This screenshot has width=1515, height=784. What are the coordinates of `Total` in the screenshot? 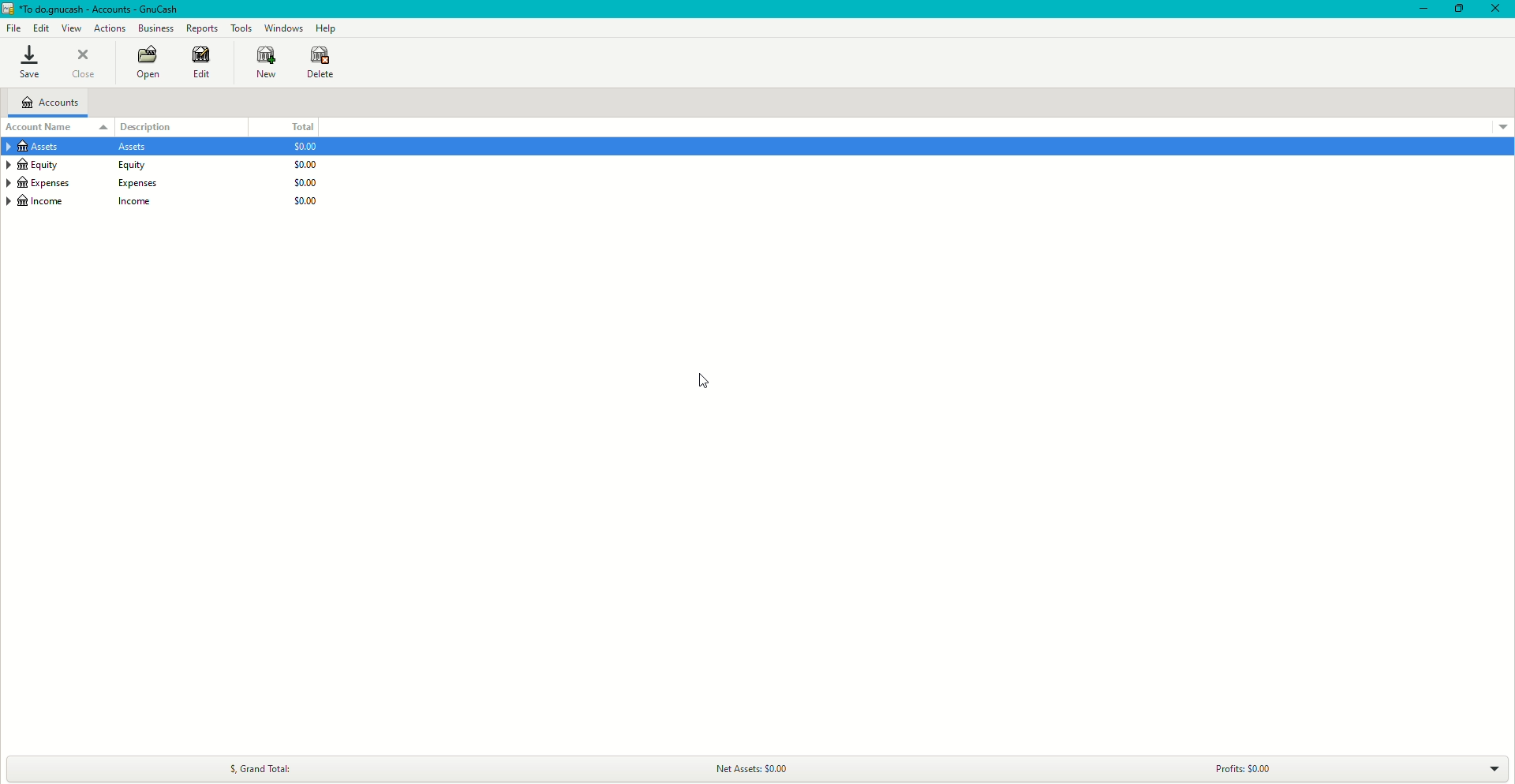 It's located at (301, 127).